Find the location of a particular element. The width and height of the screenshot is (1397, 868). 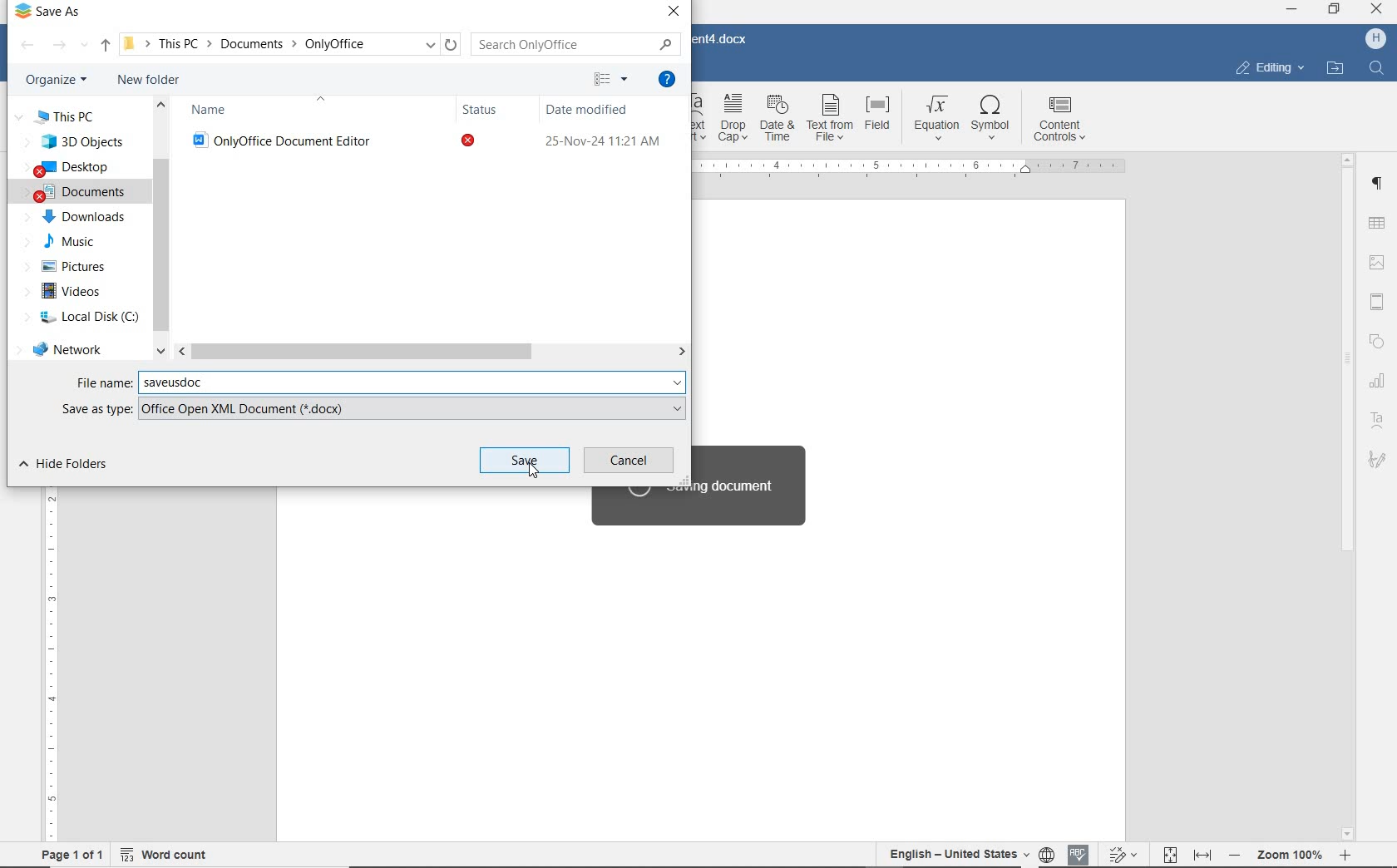

shape is located at coordinates (1379, 344).